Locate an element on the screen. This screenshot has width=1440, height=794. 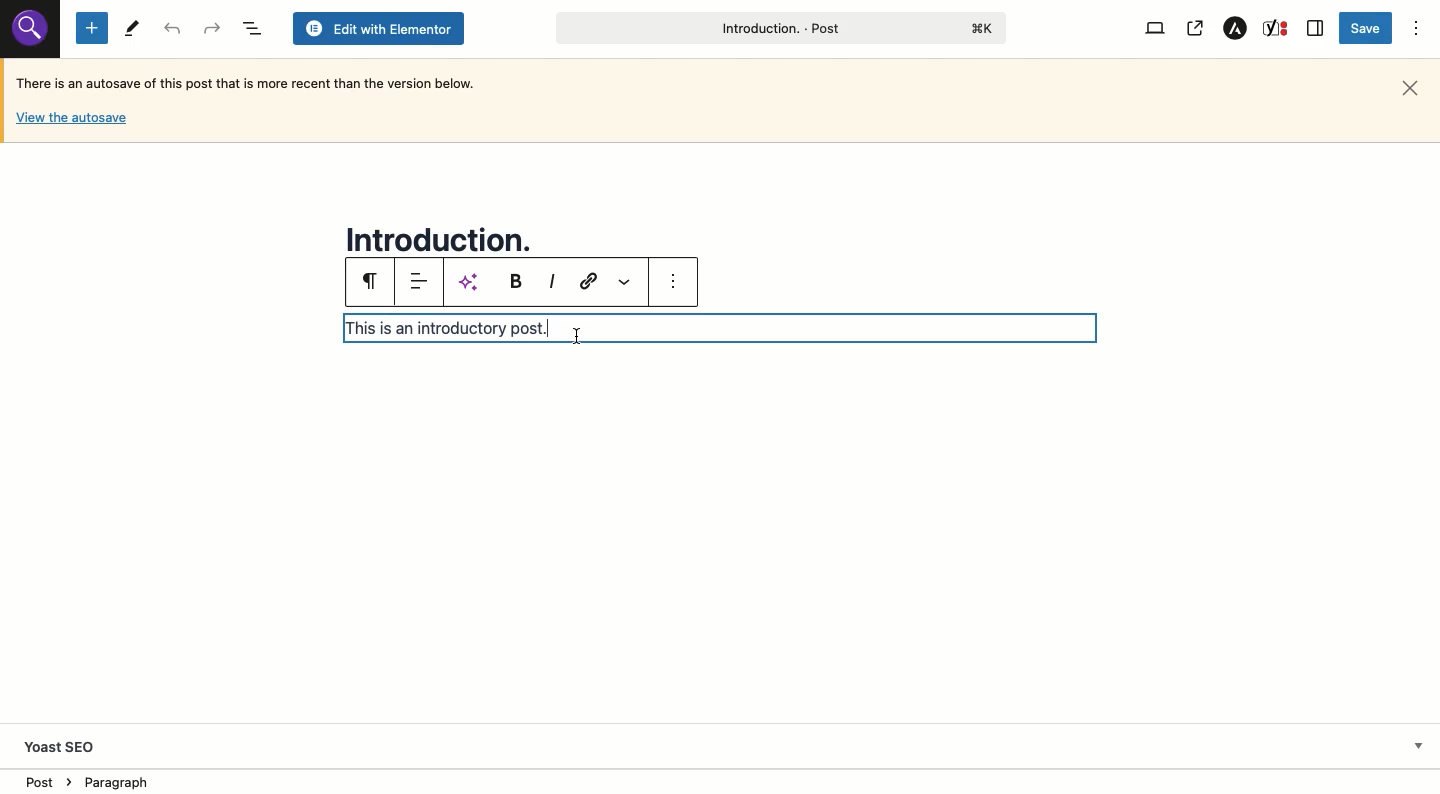
Close is located at coordinates (1410, 89).